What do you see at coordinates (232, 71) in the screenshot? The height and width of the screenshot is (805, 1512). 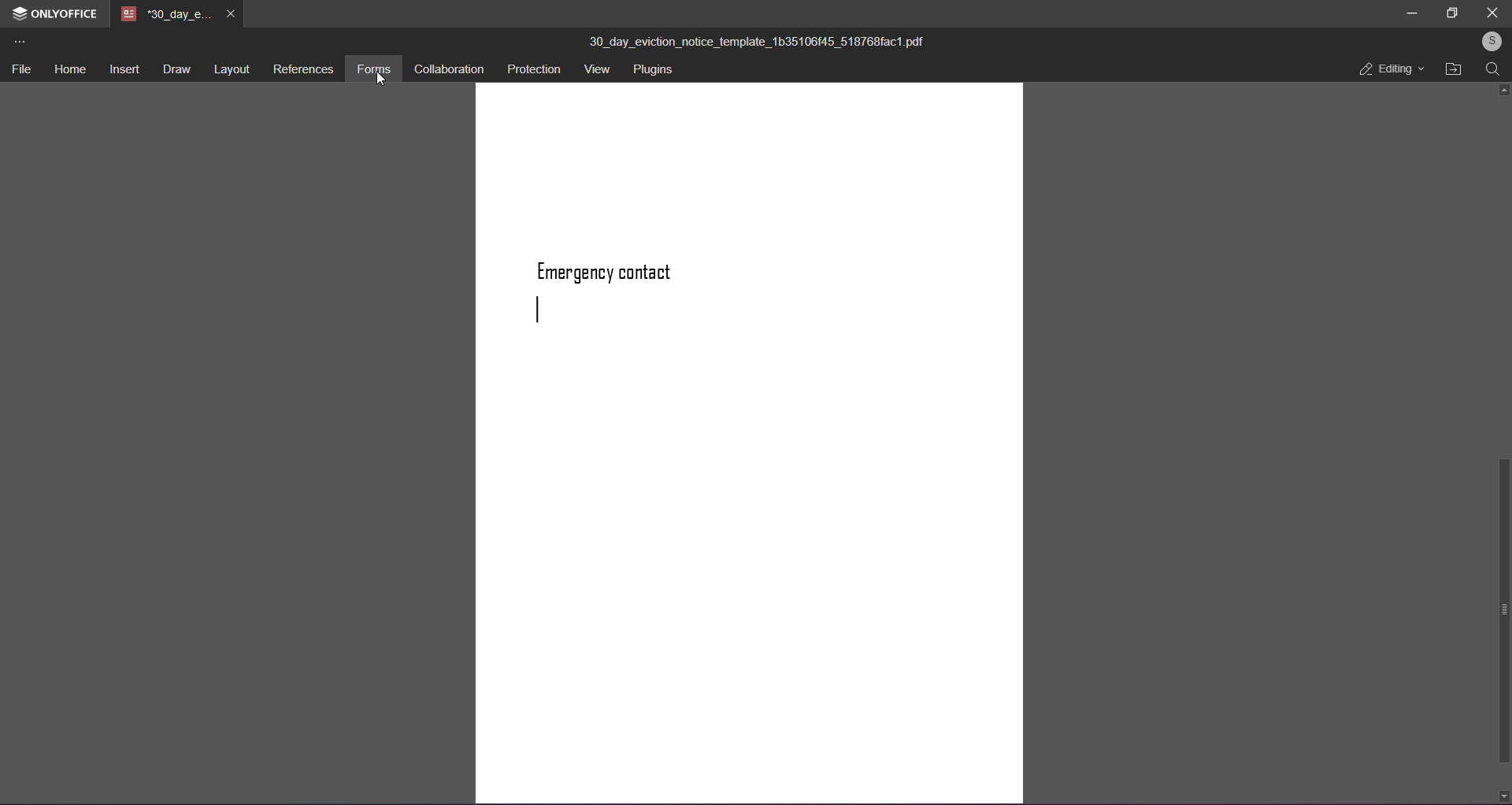 I see `layout` at bounding box center [232, 71].